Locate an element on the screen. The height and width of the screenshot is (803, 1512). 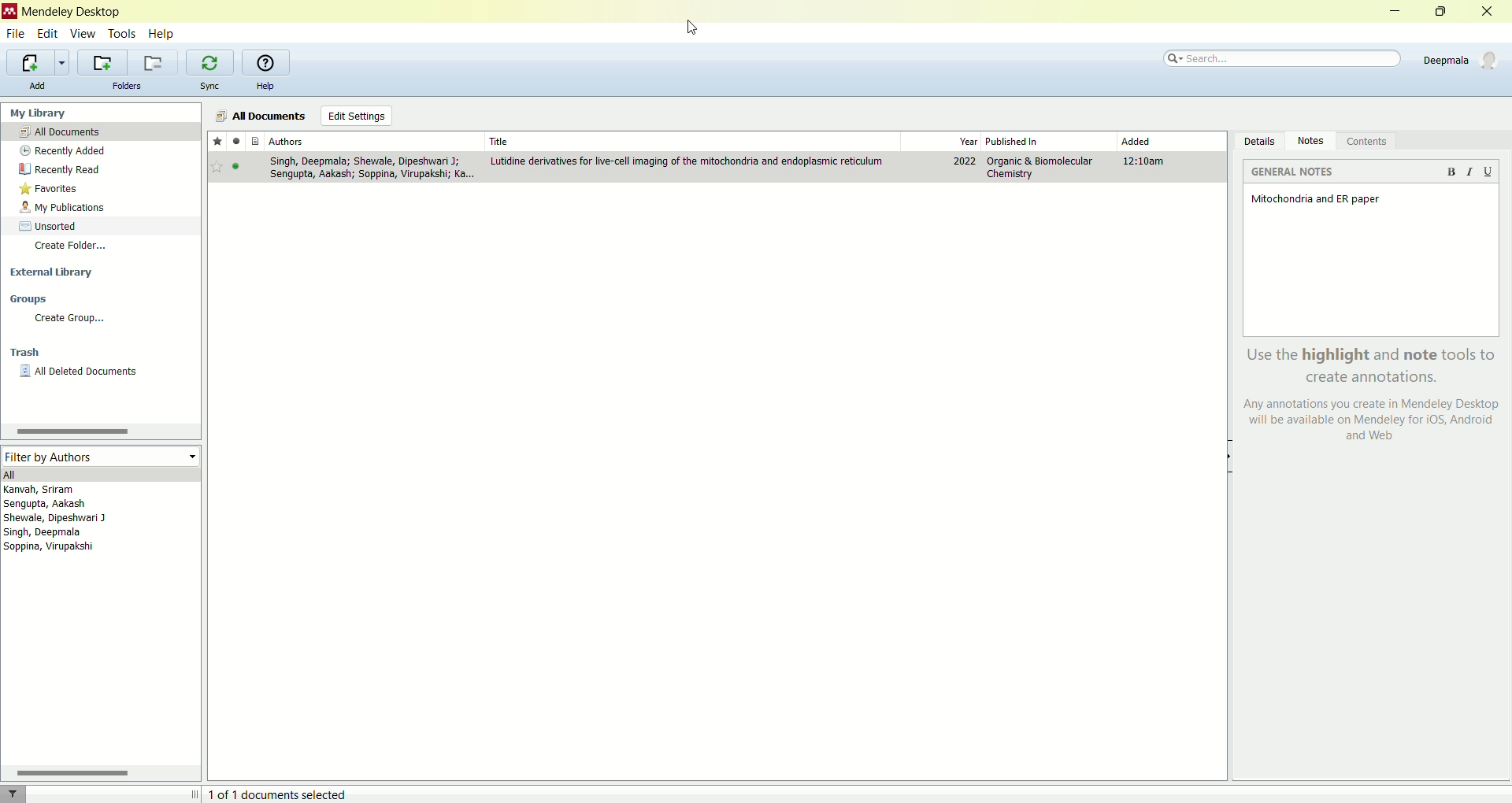
create group is located at coordinates (100, 317).